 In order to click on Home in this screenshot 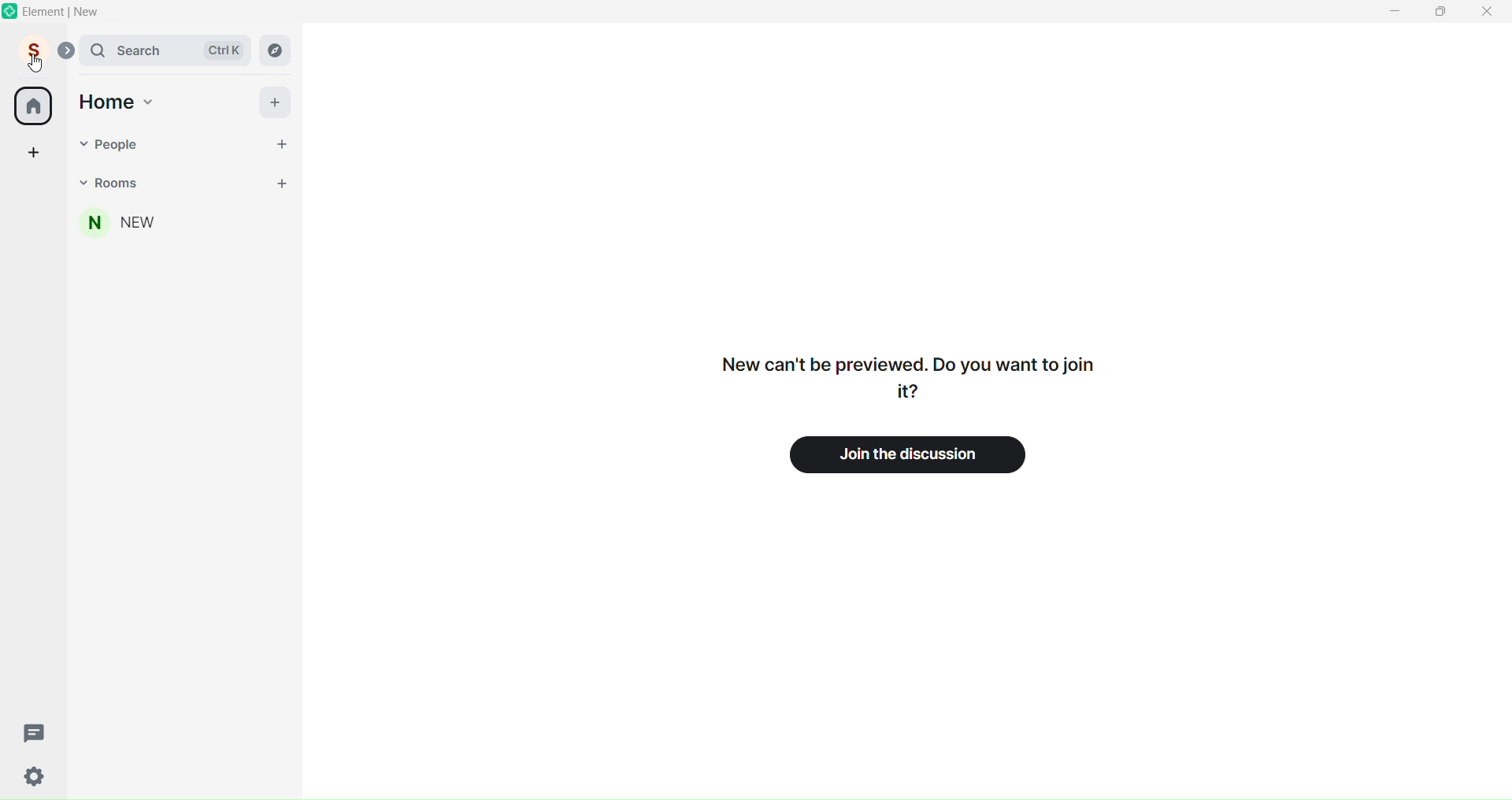, I will do `click(33, 106)`.